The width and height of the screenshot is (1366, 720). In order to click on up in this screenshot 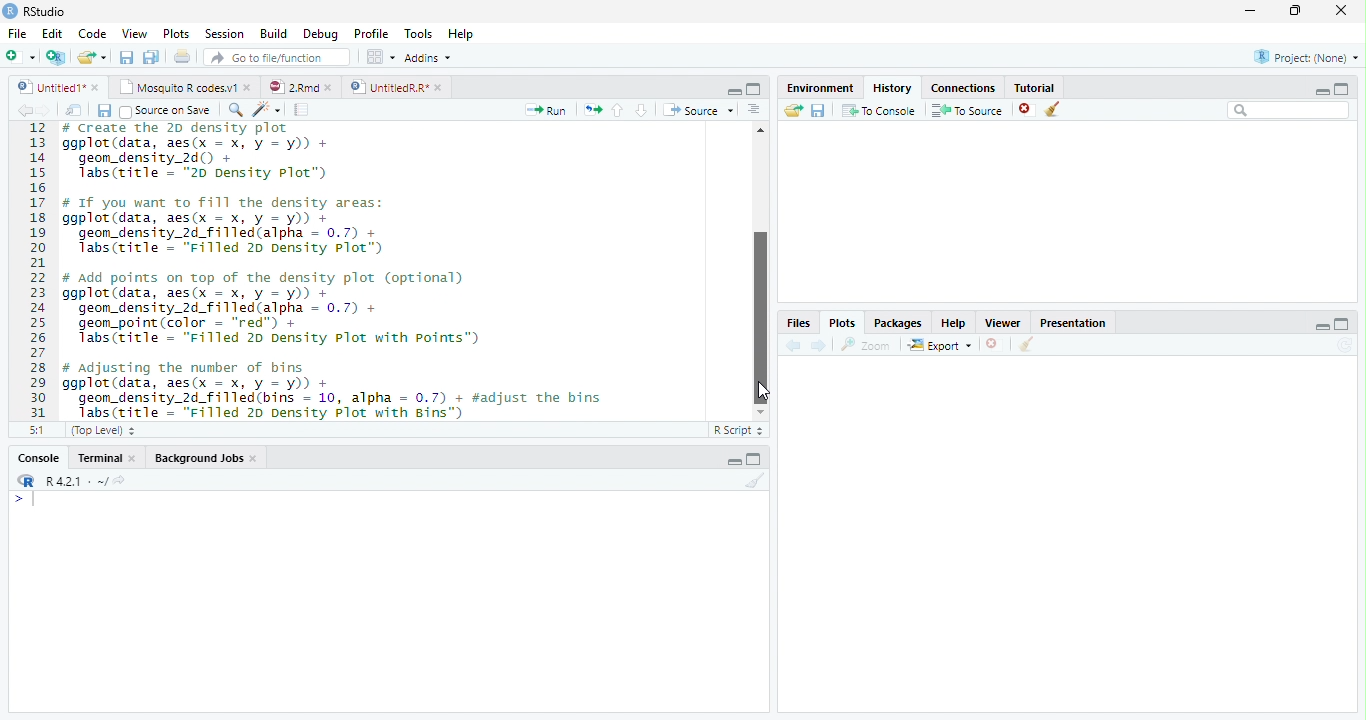, I will do `click(618, 110)`.